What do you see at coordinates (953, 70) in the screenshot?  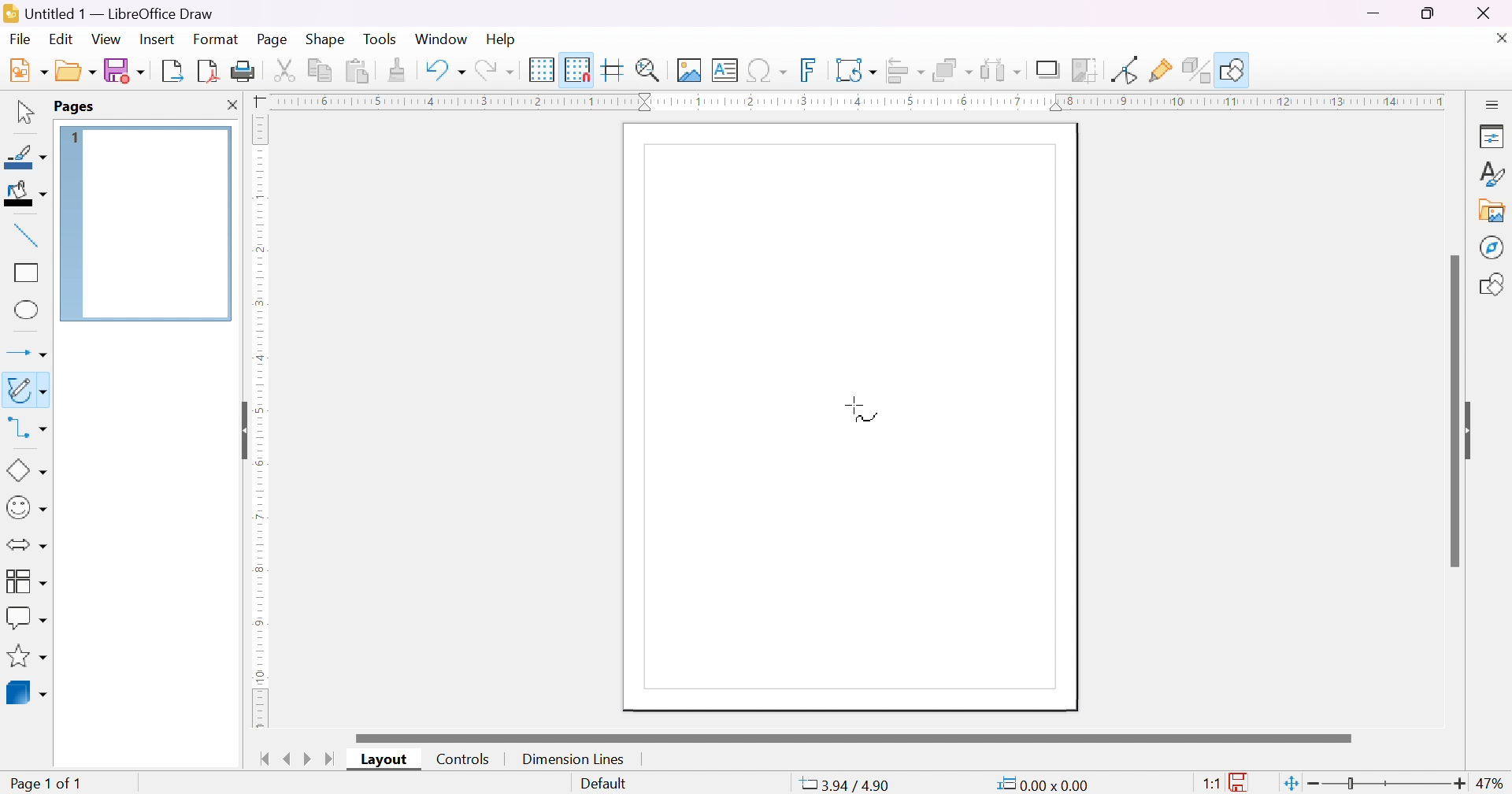 I see `arrange` at bounding box center [953, 70].